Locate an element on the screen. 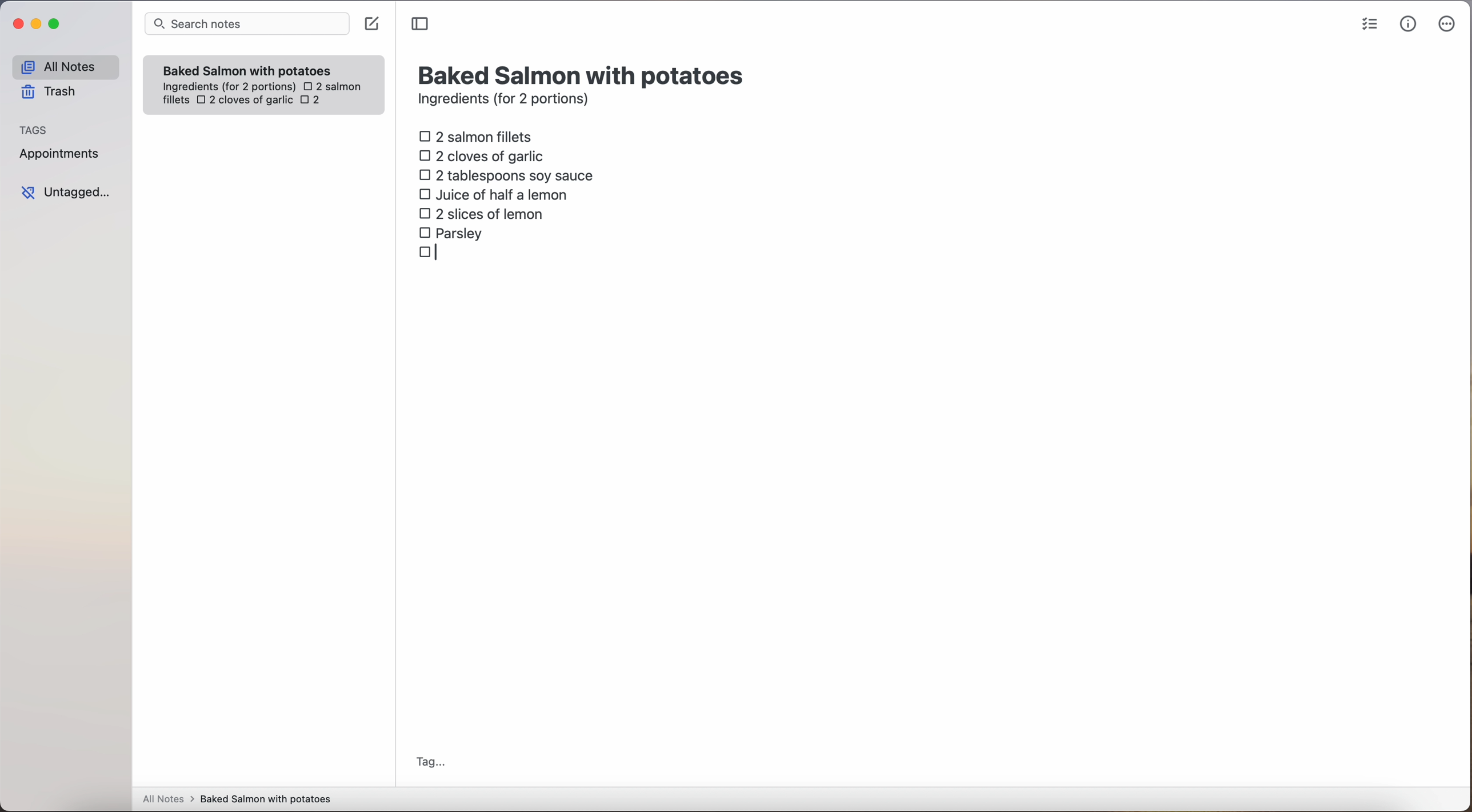 The image size is (1472, 812). title is located at coordinates (583, 74).